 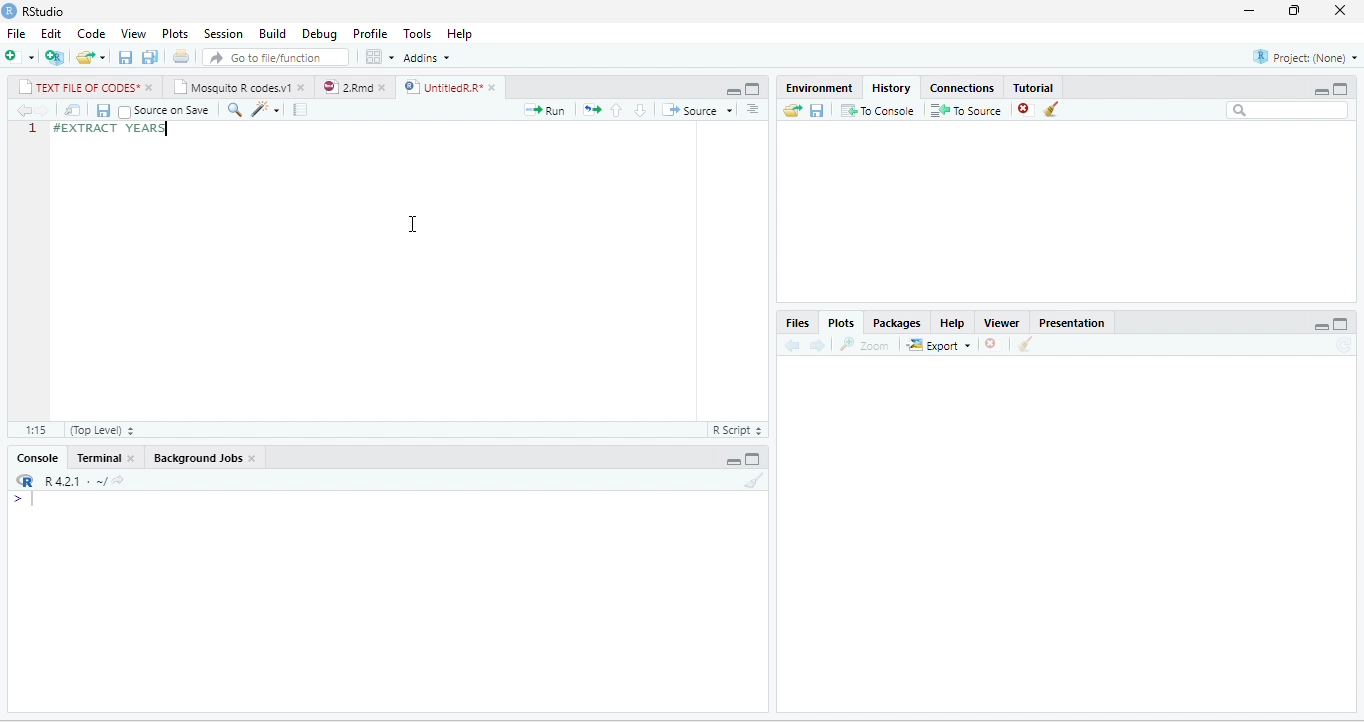 I want to click on Addins, so click(x=428, y=57).